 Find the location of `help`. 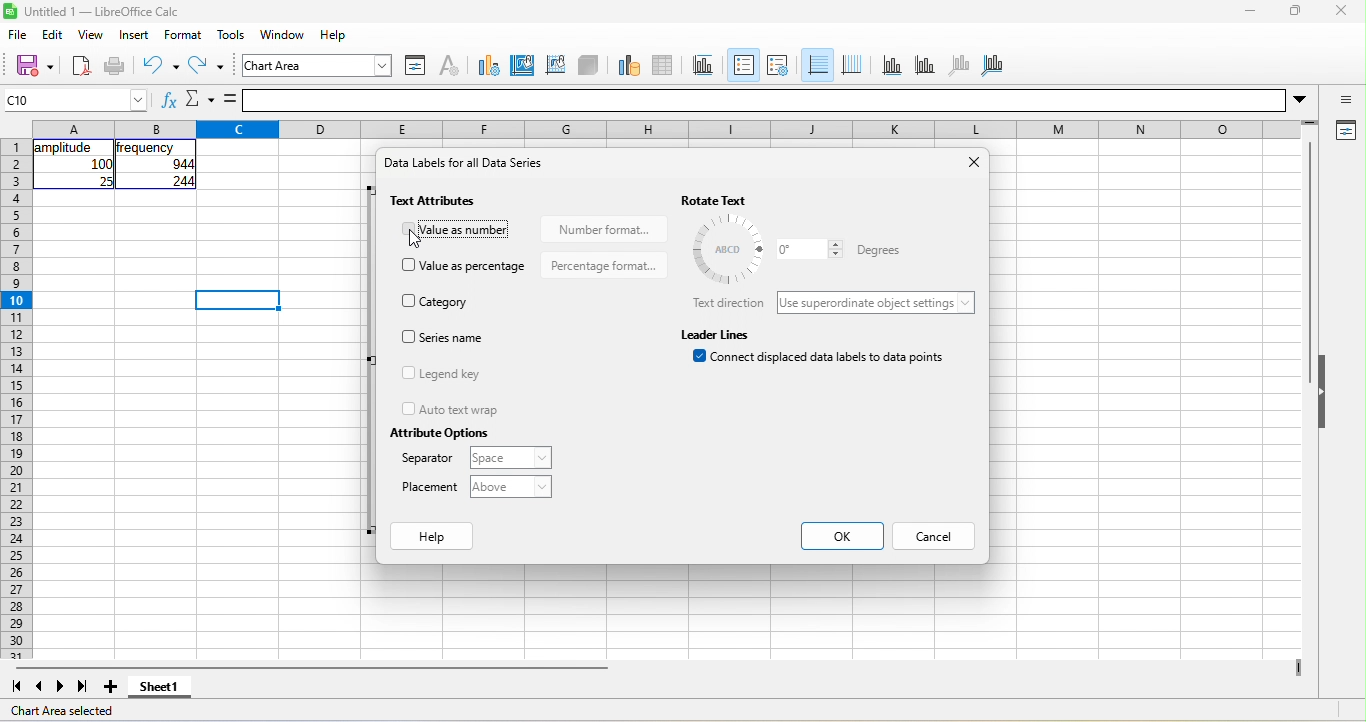

help is located at coordinates (434, 539).